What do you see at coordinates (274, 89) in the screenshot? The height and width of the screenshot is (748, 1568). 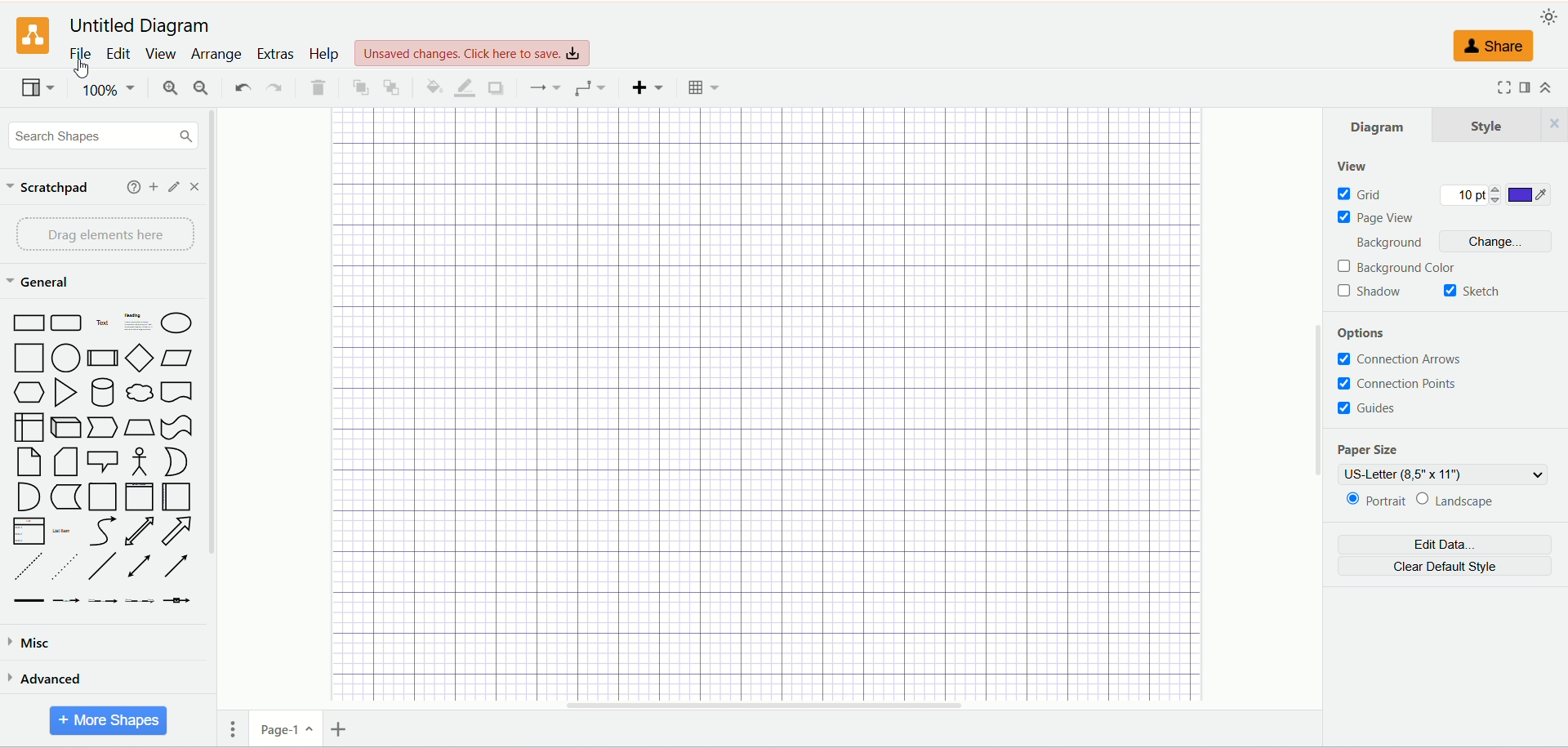 I see `redo` at bounding box center [274, 89].